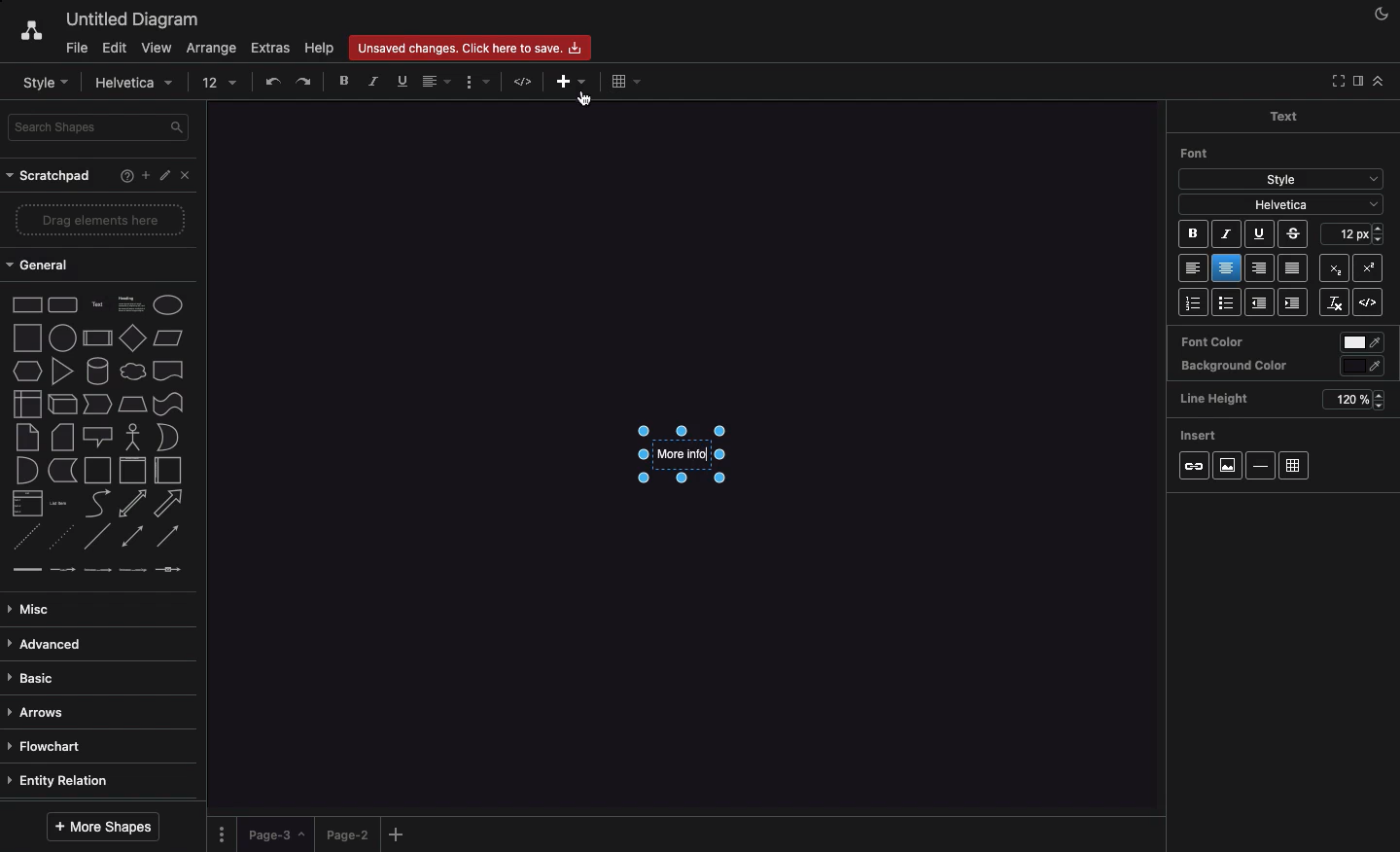 This screenshot has width=1400, height=852. What do you see at coordinates (75, 47) in the screenshot?
I see `File` at bounding box center [75, 47].